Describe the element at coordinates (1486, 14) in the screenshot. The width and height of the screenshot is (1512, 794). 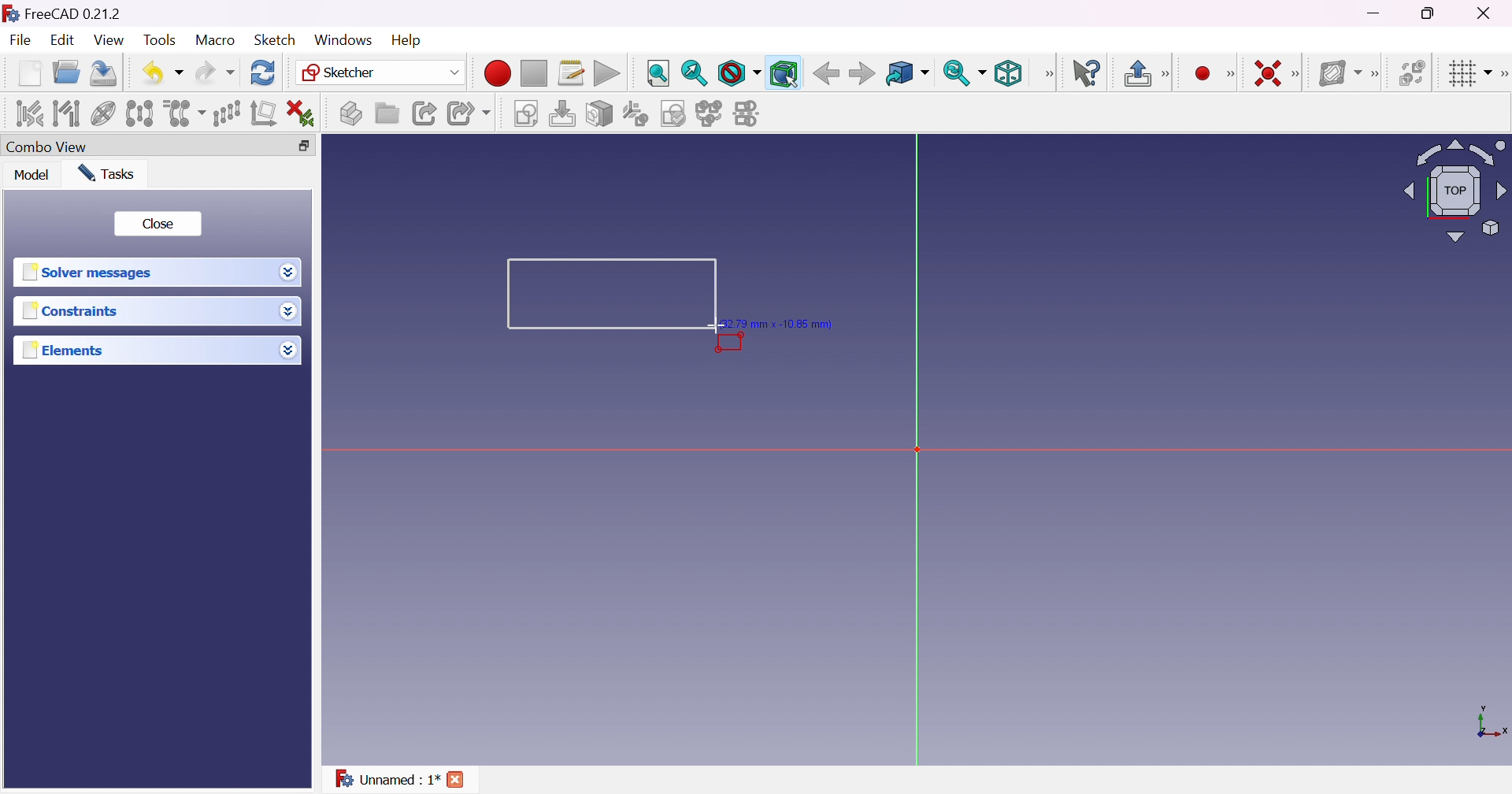
I see `Close` at that location.